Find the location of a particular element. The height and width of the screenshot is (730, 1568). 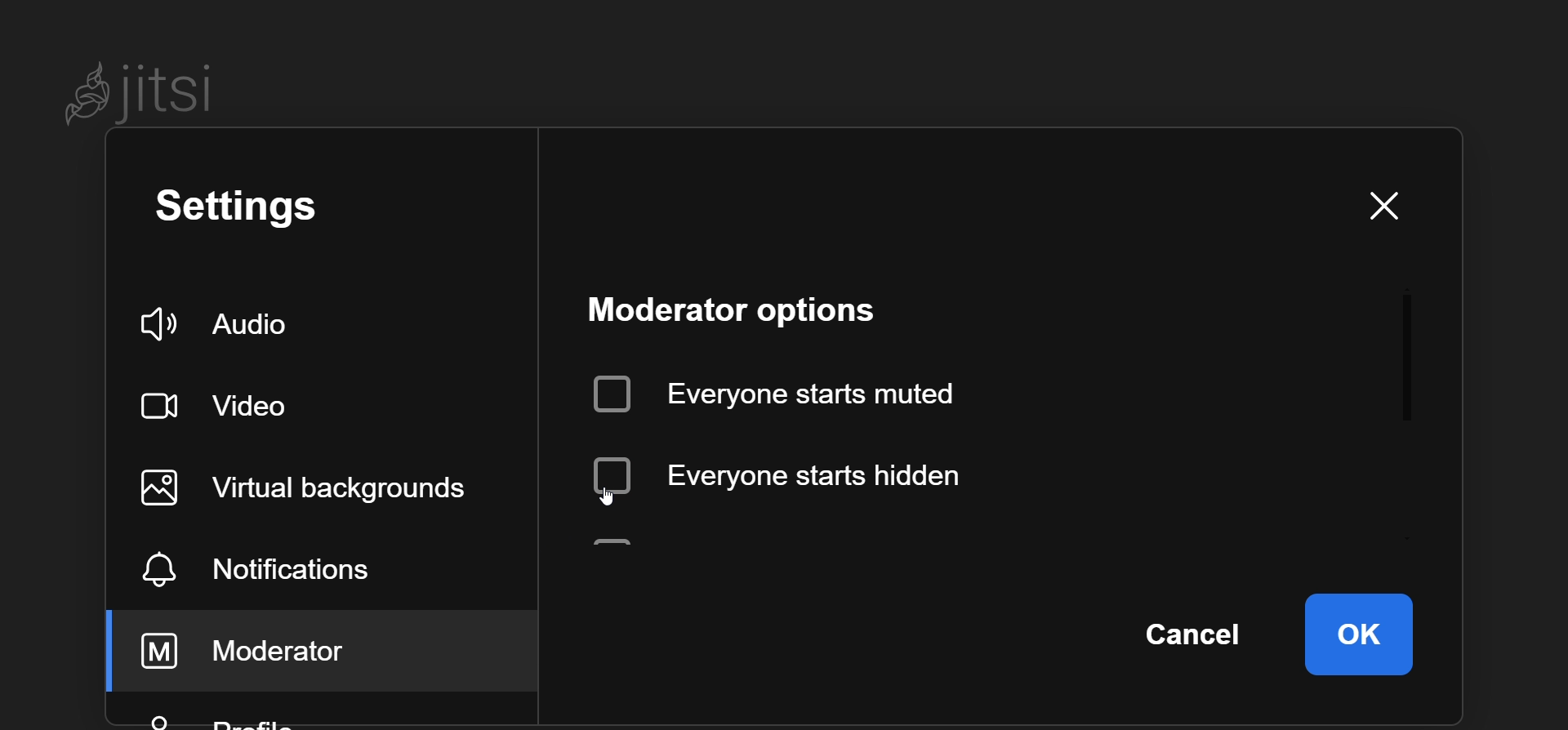

cursor is located at coordinates (607, 501).